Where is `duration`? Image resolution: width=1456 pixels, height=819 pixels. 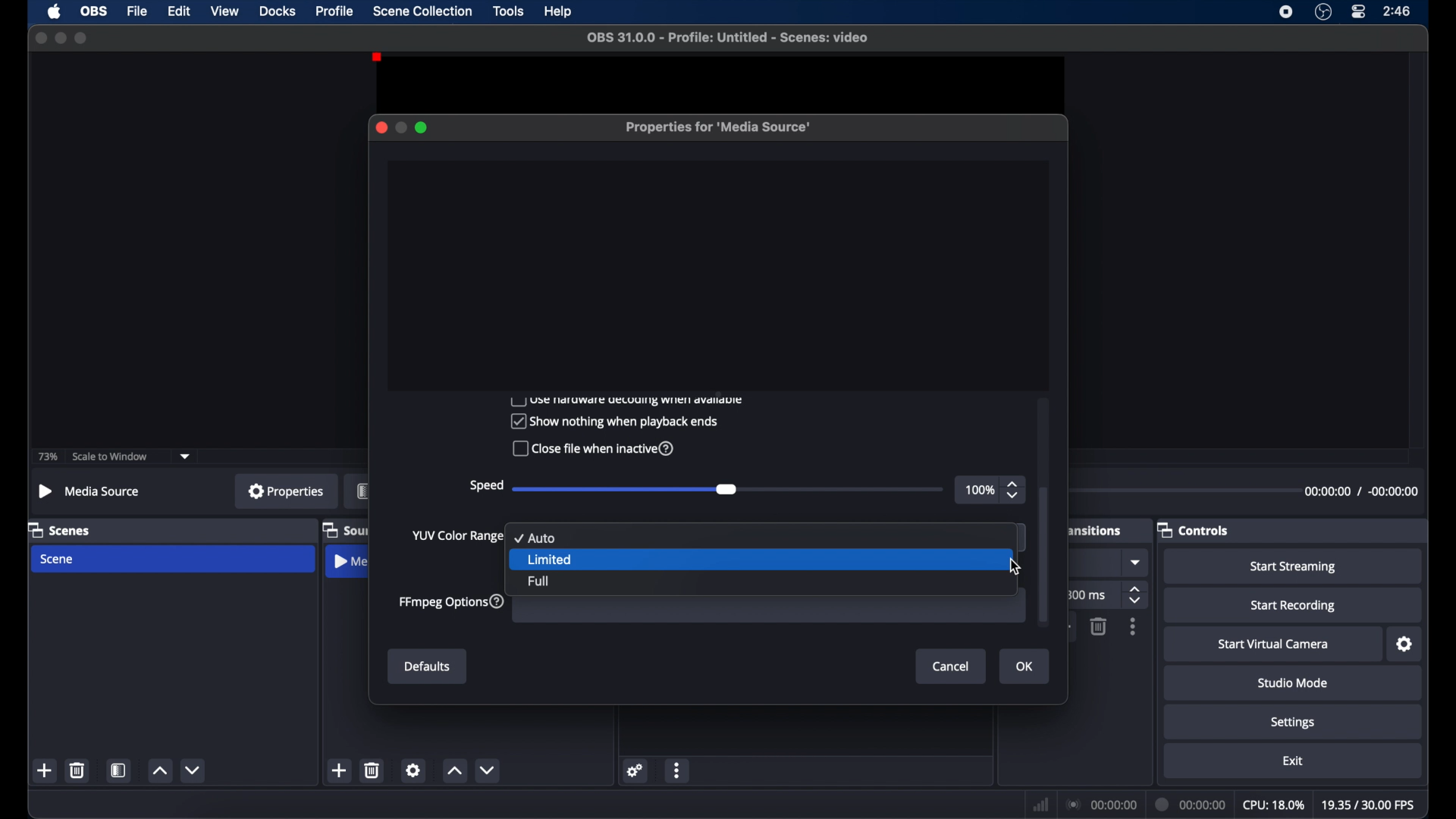
duration is located at coordinates (1191, 804).